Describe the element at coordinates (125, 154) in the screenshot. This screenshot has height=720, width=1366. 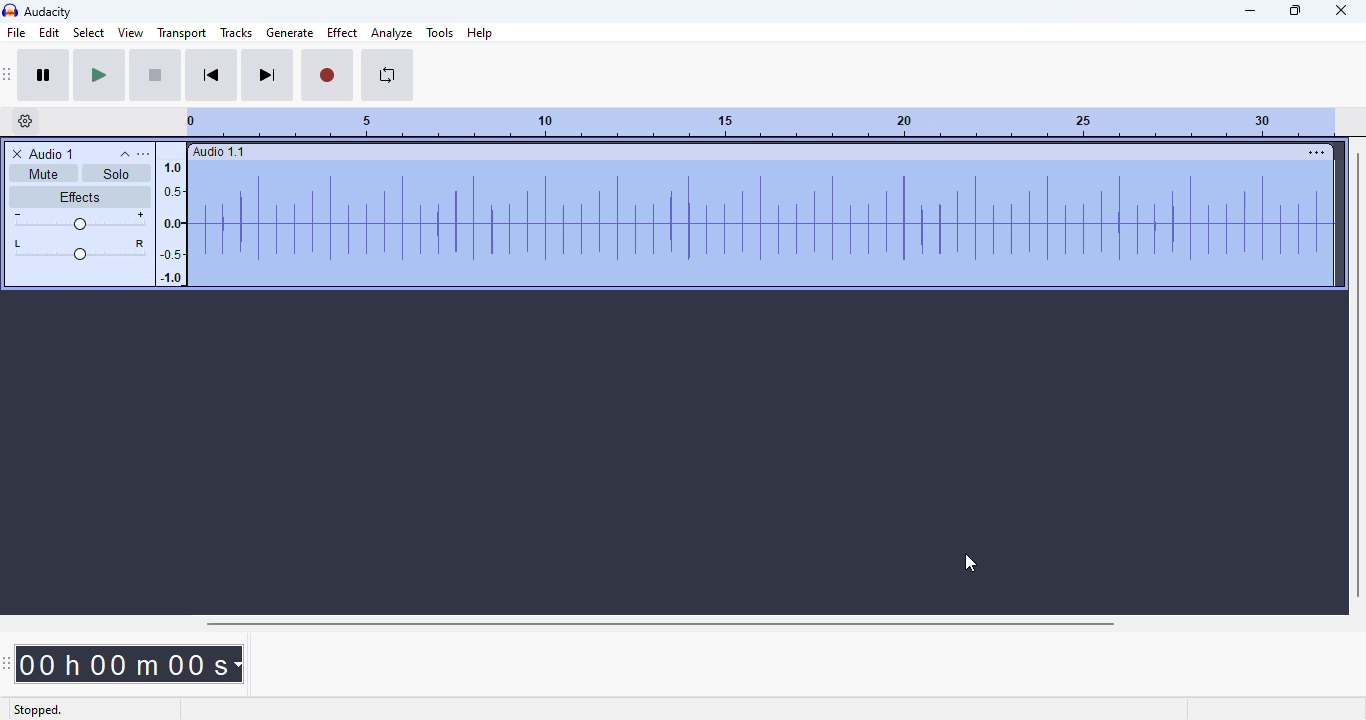
I see `collapse` at that location.